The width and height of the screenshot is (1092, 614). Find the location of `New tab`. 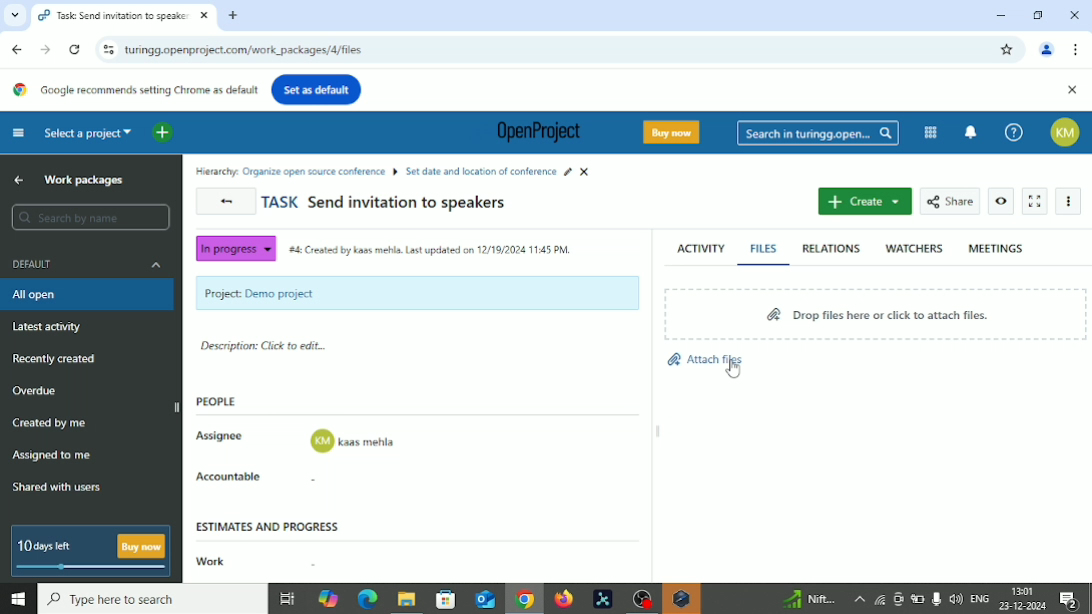

New tab is located at coordinates (234, 16).